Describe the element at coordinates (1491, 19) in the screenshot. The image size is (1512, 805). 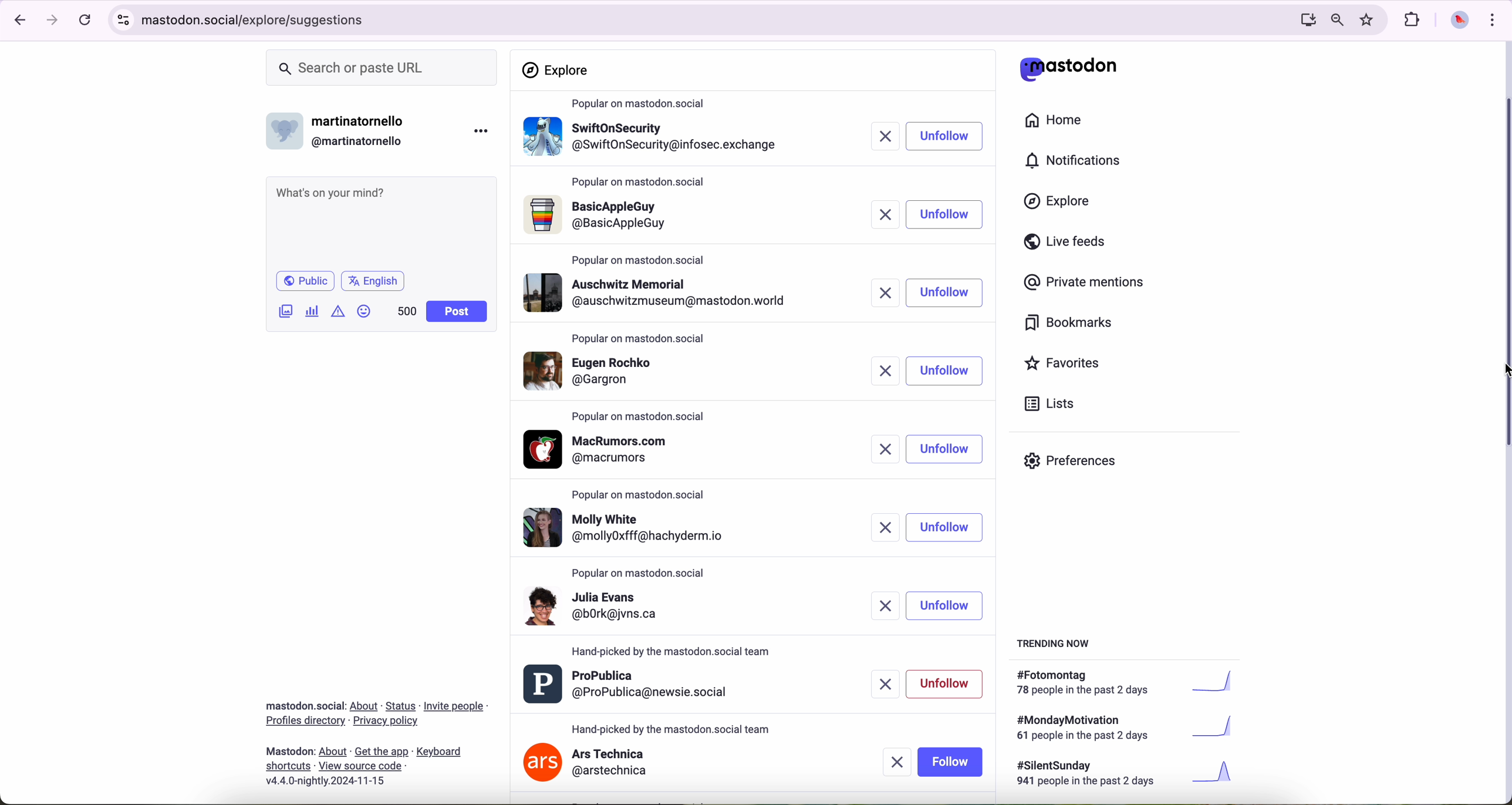
I see `customize and control Google Chrome` at that location.